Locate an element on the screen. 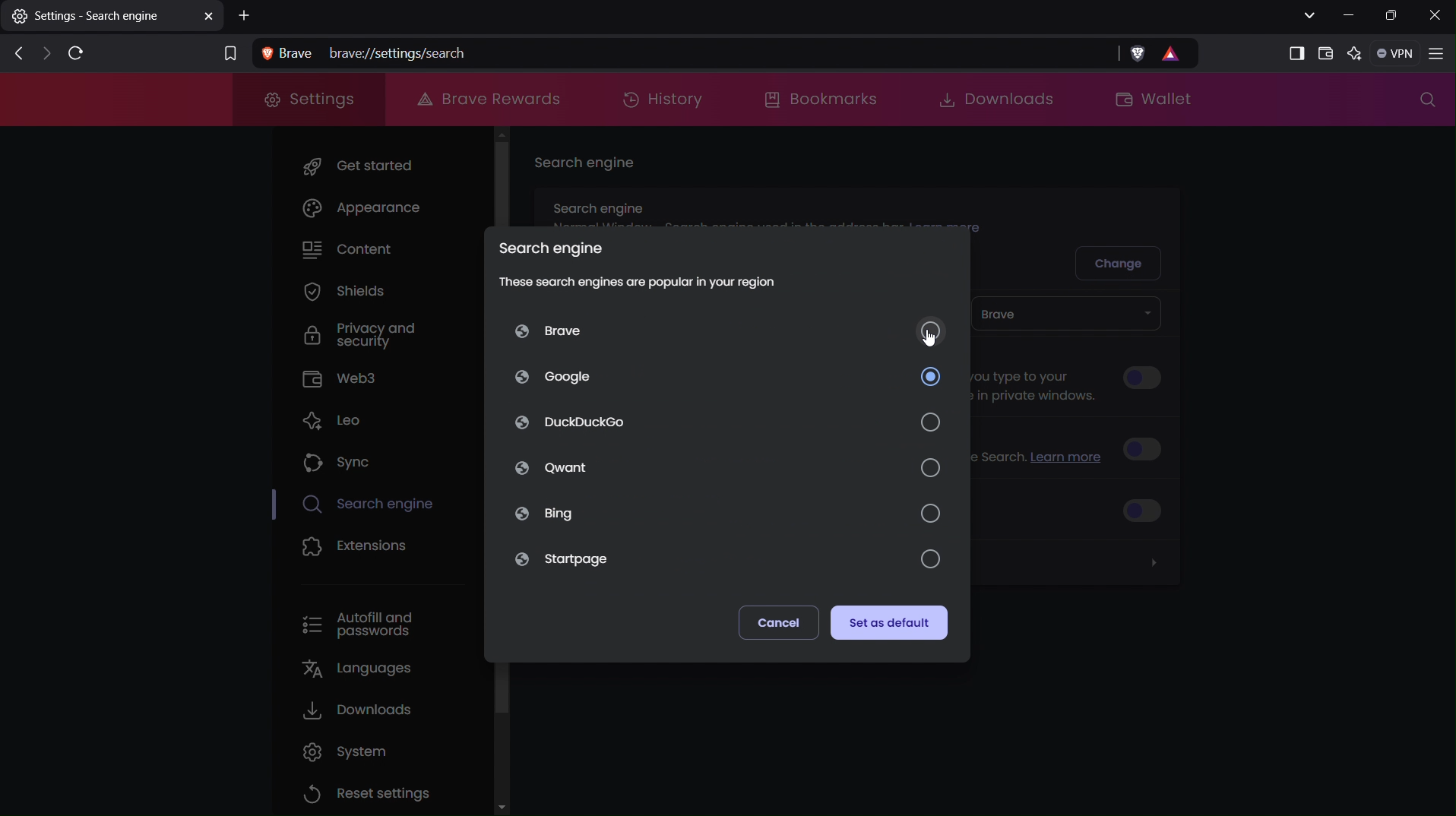  Bookmark is located at coordinates (228, 52).